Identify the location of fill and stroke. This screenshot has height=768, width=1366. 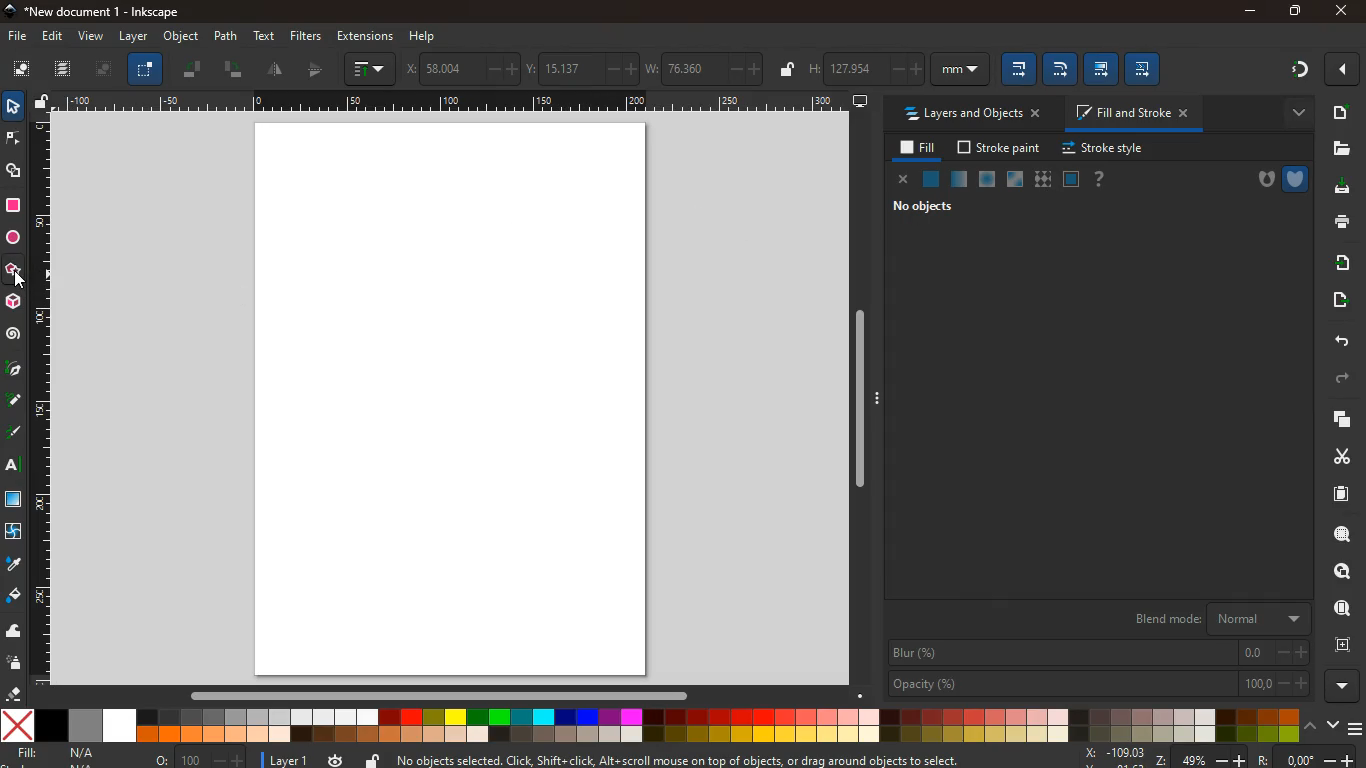
(1128, 115).